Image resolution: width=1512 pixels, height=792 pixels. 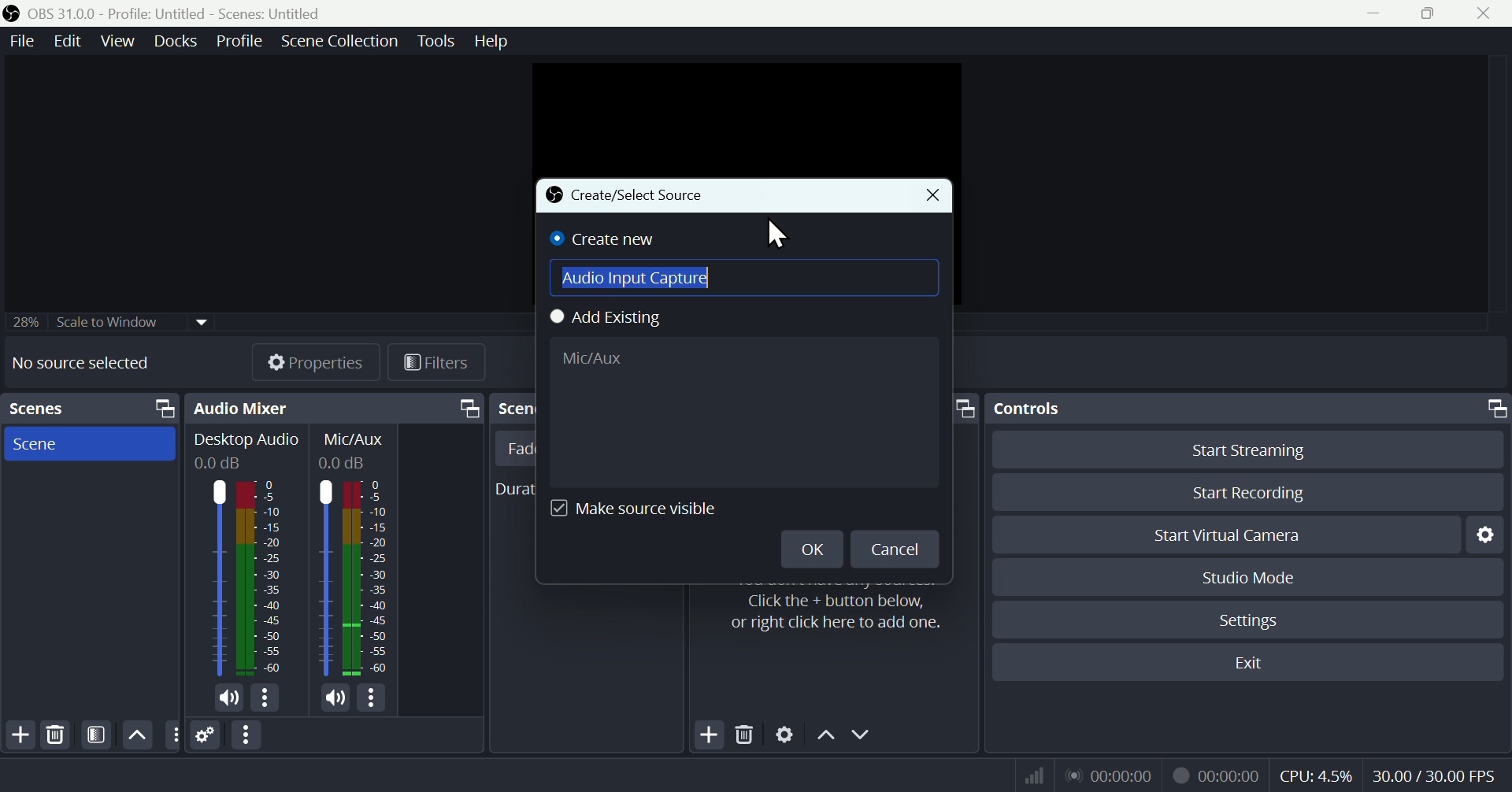 What do you see at coordinates (19, 735) in the screenshot?
I see `Add` at bounding box center [19, 735].